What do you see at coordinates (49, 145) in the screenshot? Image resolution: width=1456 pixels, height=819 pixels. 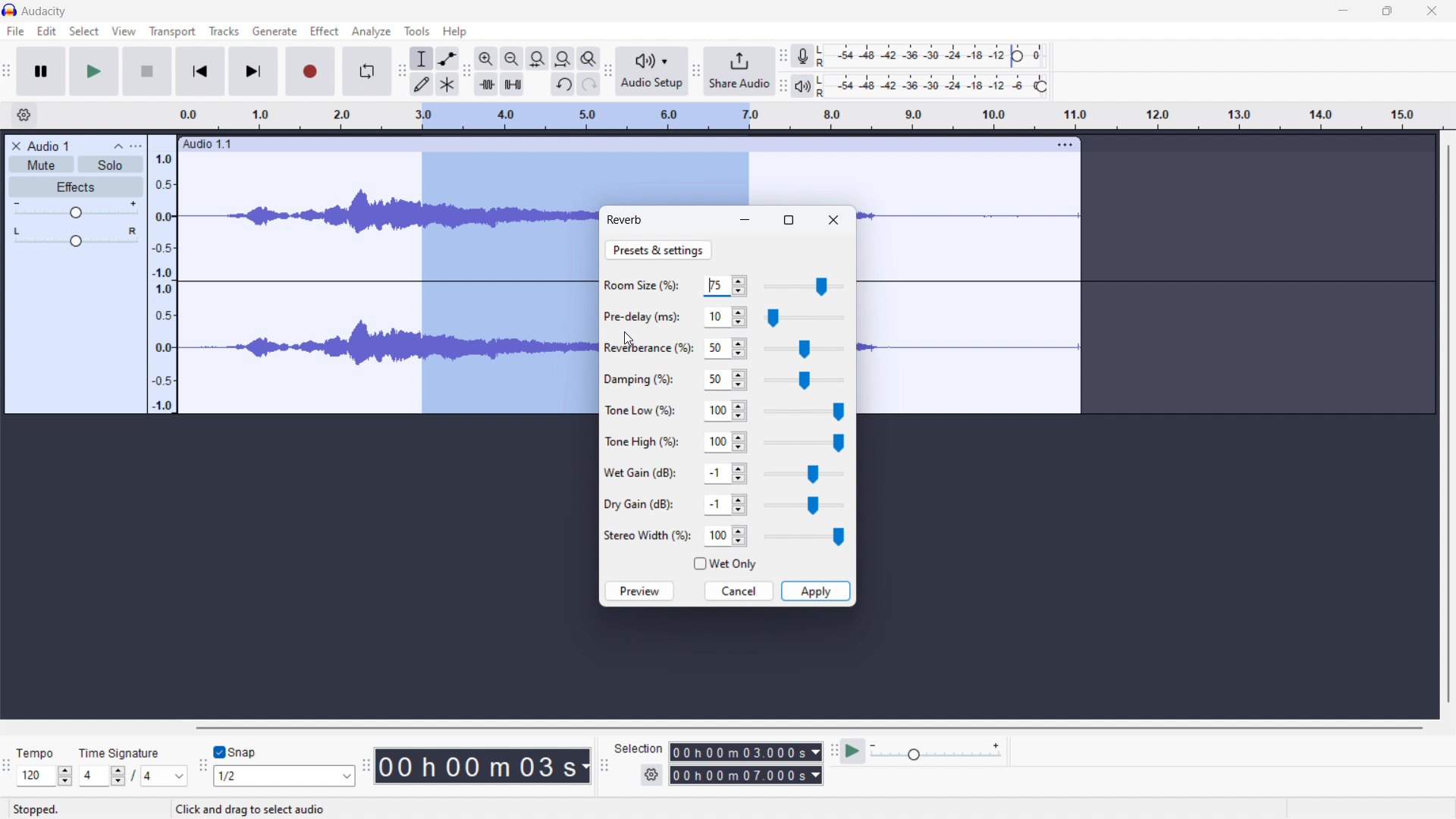 I see `Audio 1` at bounding box center [49, 145].